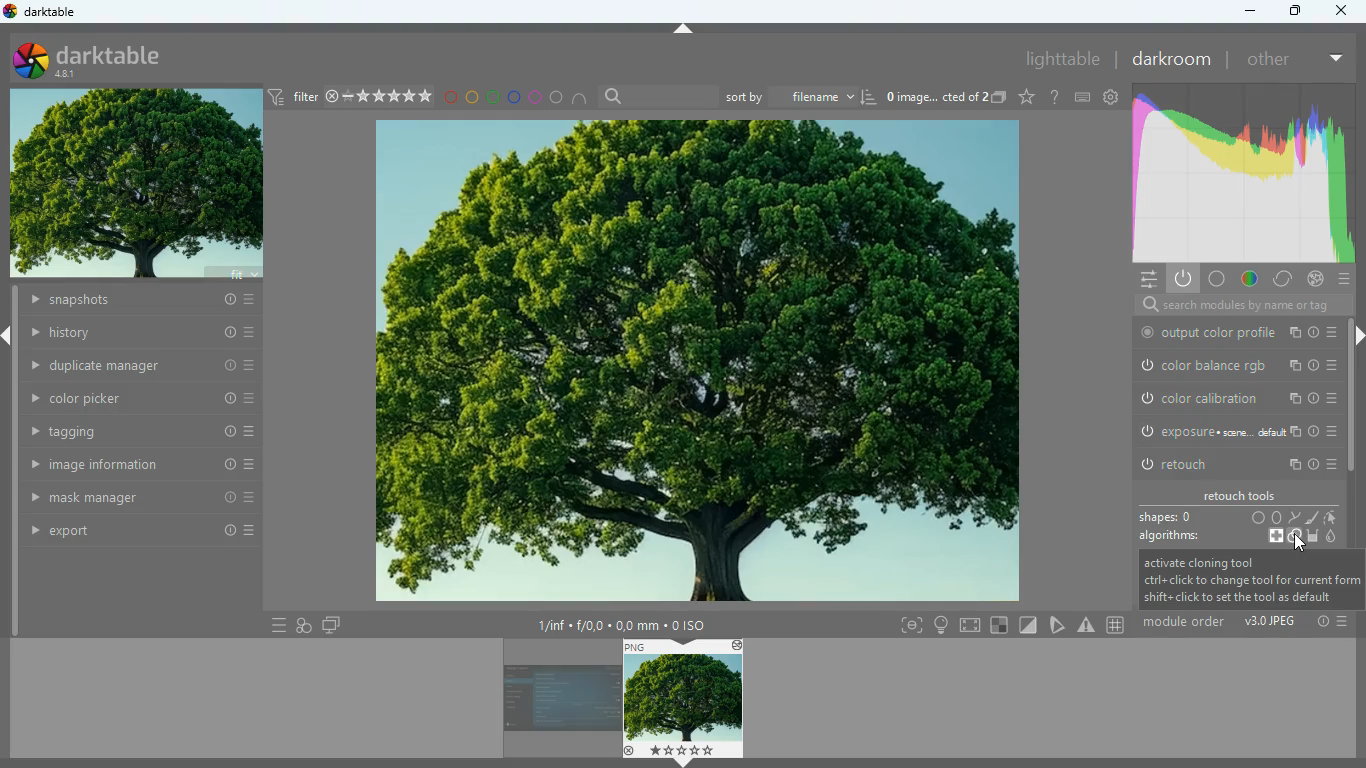 The width and height of the screenshot is (1366, 768). What do you see at coordinates (1342, 278) in the screenshot?
I see `menu` at bounding box center [1342, 278].